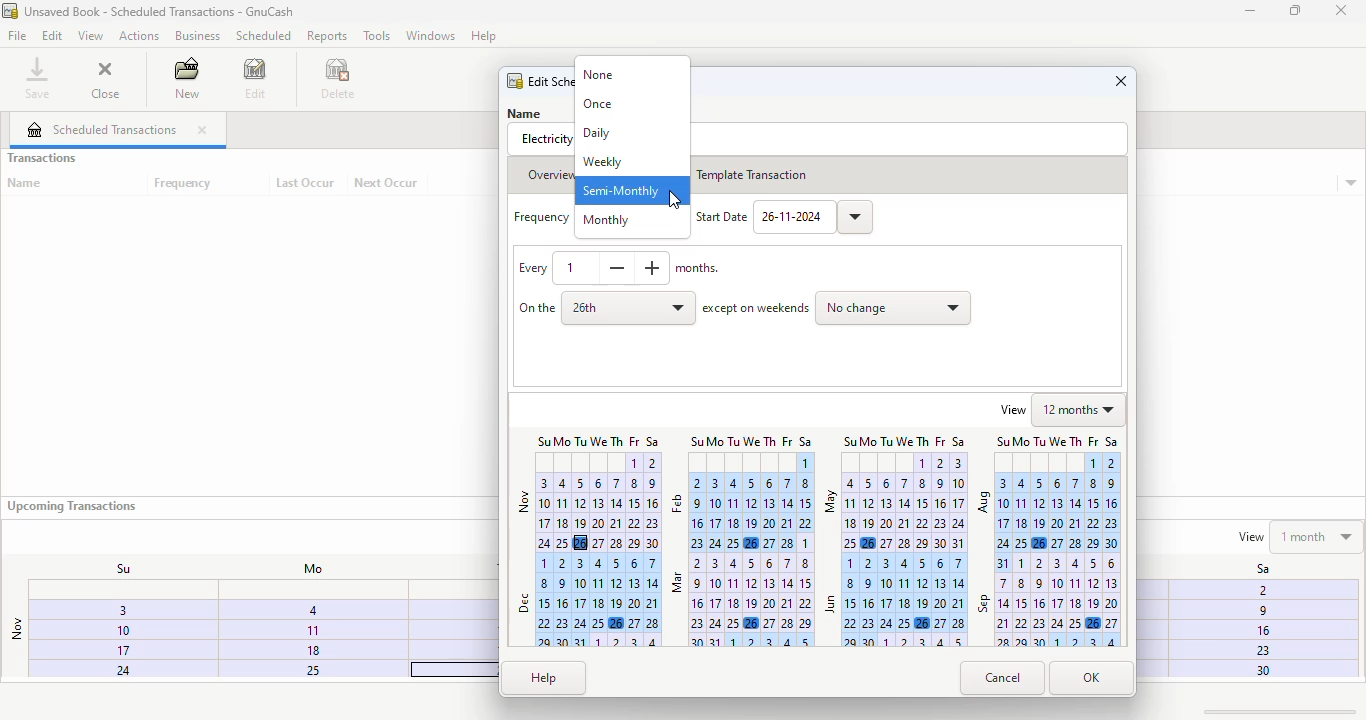 Image resolution: width=1366 pixels, height=720 pixels. I want to click on edit, so click(53, 36).